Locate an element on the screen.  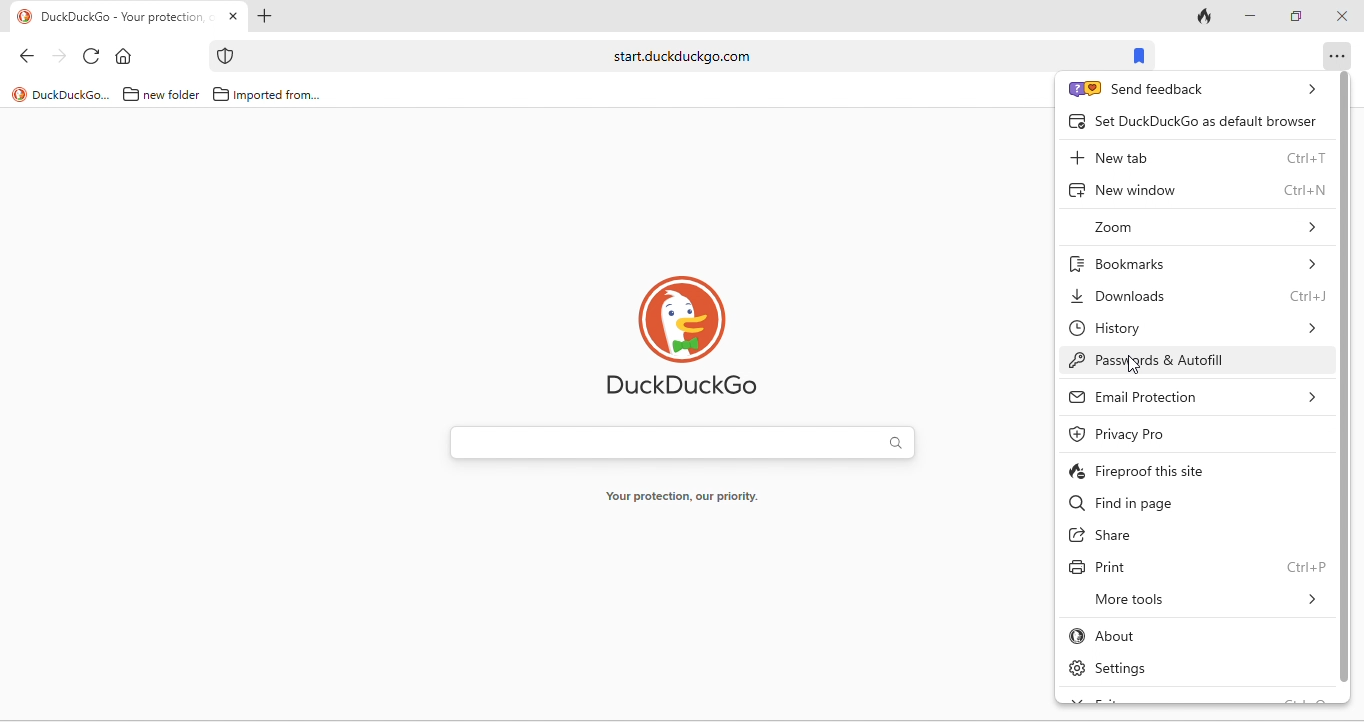
back is located at coordinates (26, 57).